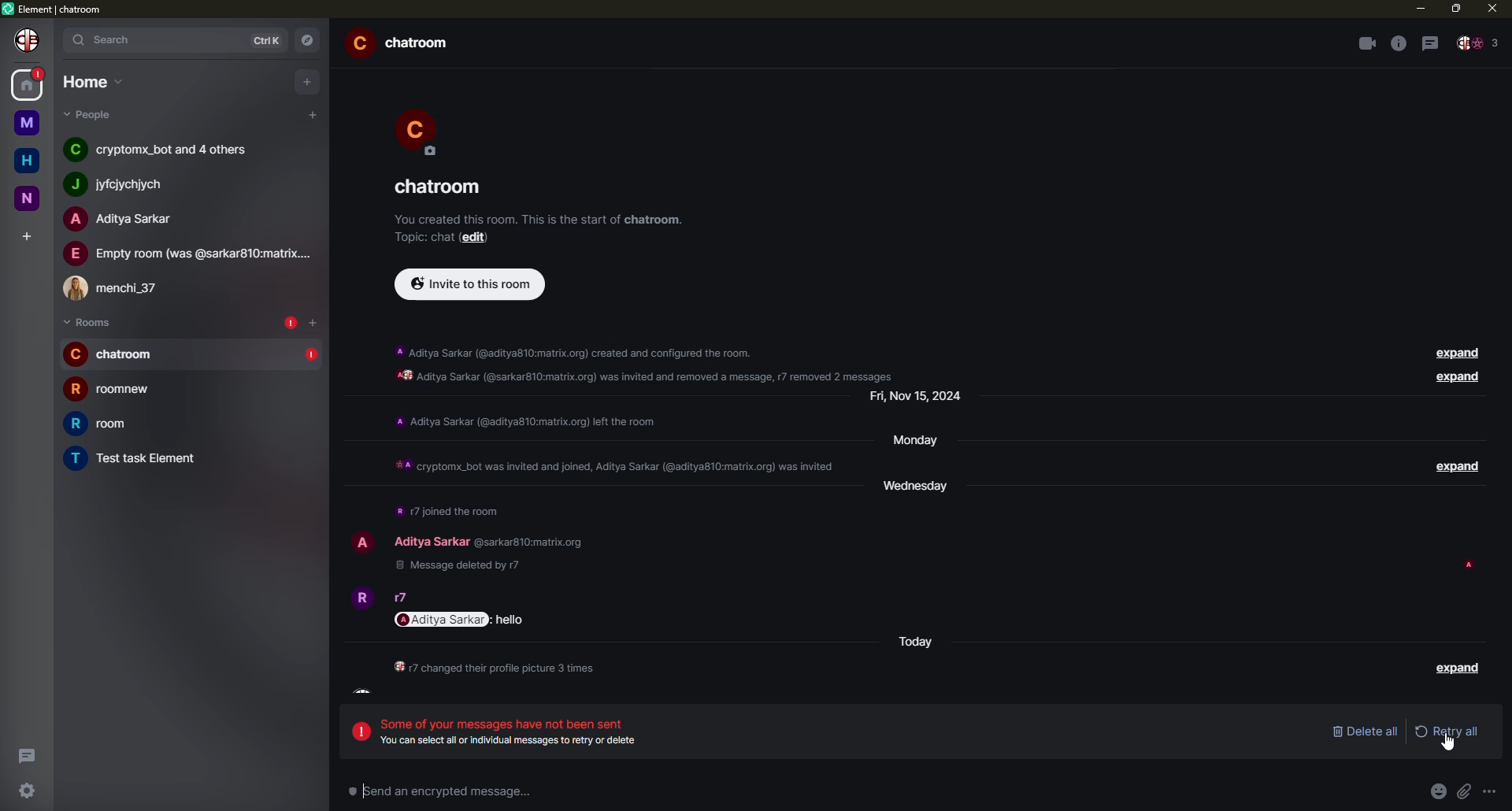 This screenshot has height=811, width=1512. Describe the element at coordinates (114, 390) in the screenshot. I see `room` at that location.